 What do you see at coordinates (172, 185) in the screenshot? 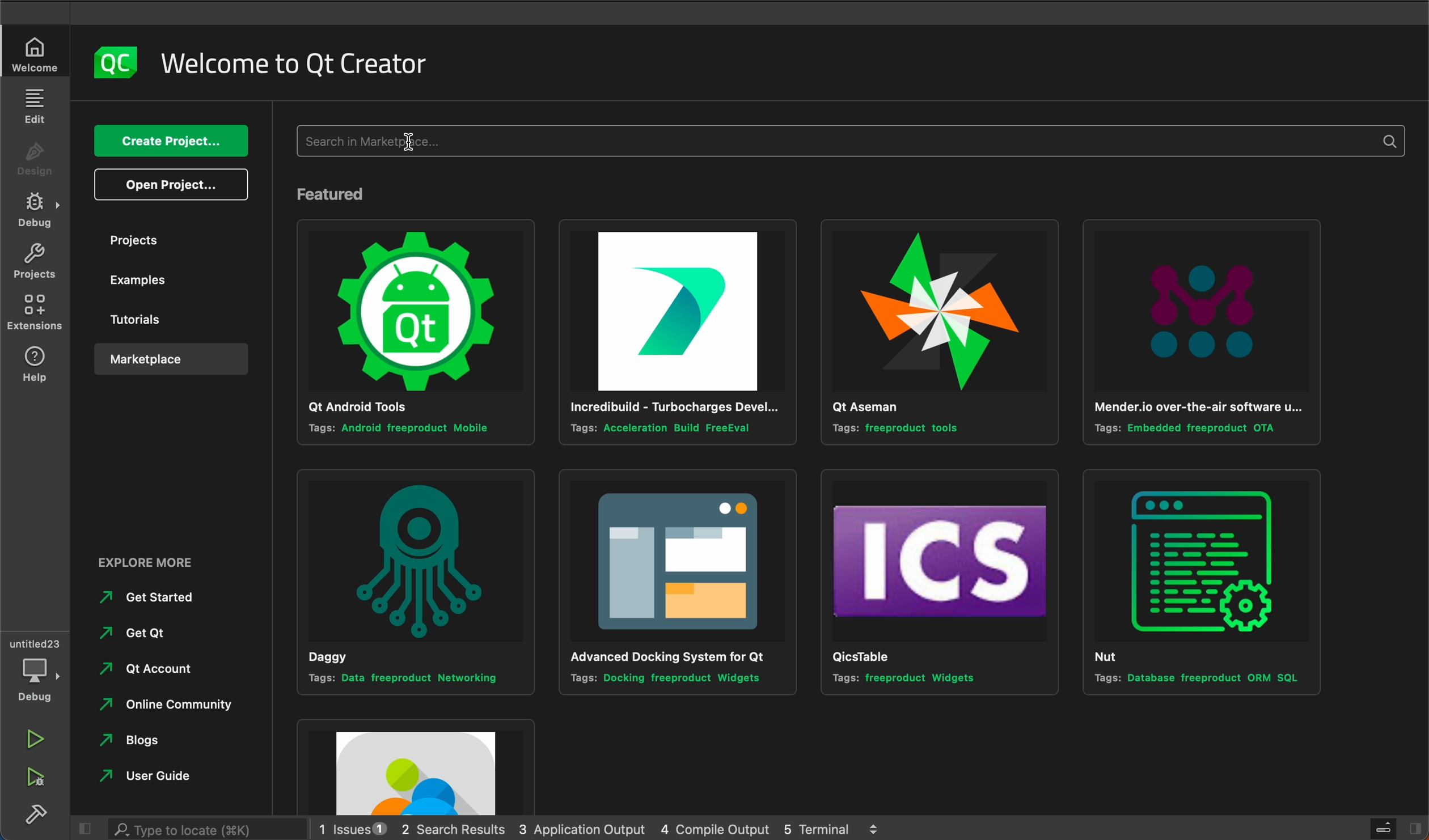
I see `open projects` at bounding box center [172, 185].